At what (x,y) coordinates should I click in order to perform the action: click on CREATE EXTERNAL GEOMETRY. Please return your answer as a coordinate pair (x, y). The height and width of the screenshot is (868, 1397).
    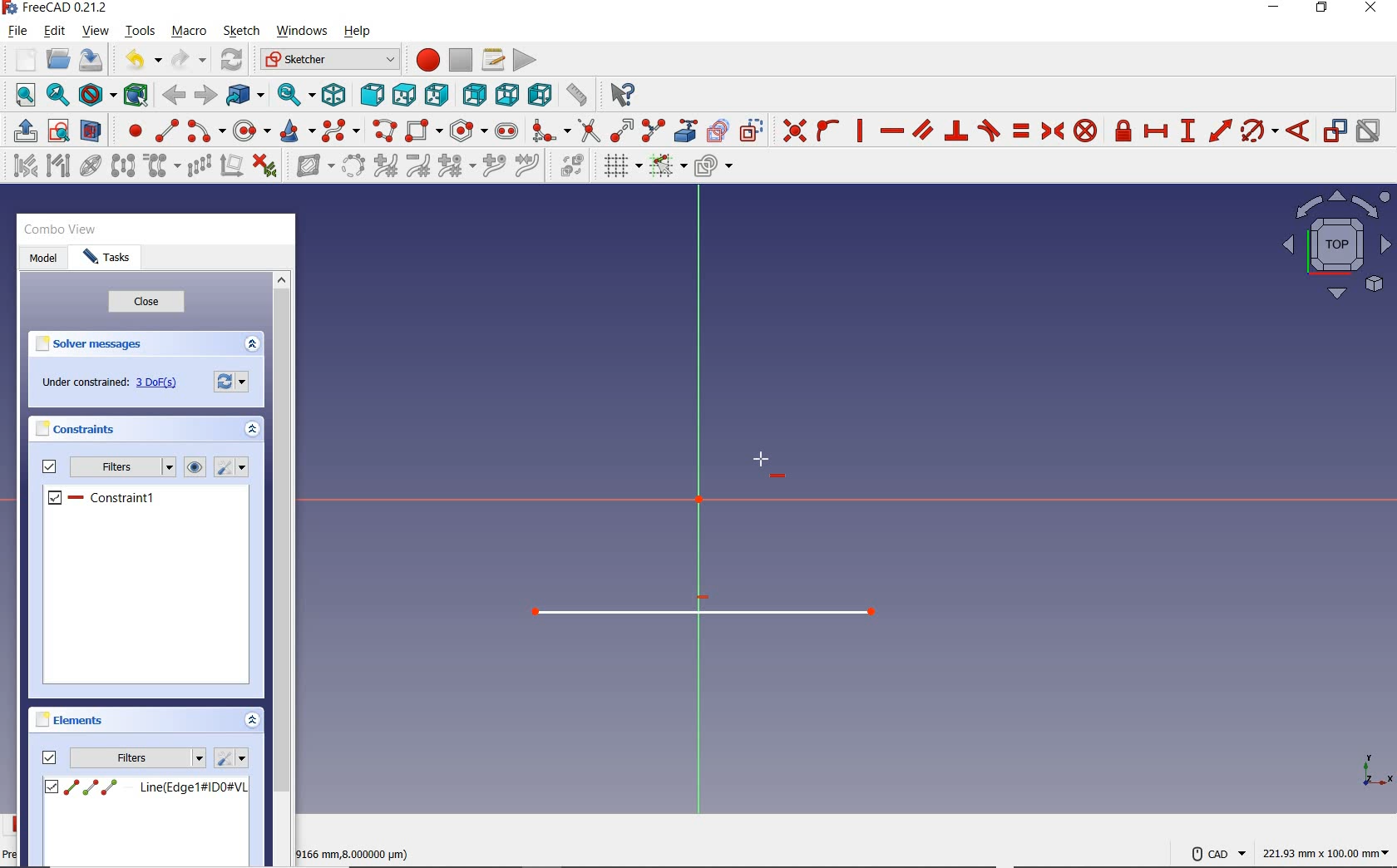
    Looking at the image, I should click on (688, 129).